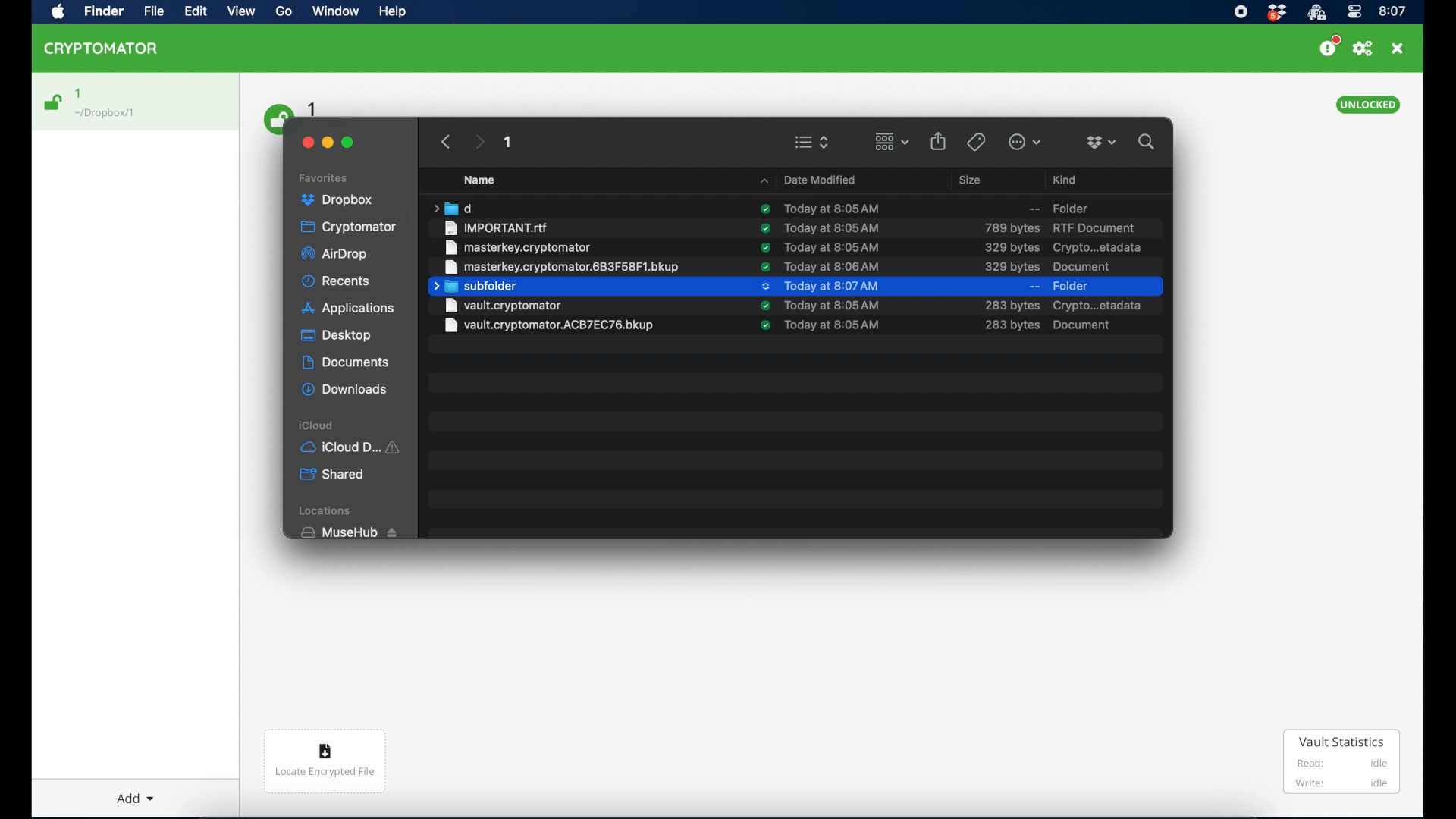 Image resolution: width=1456 pixels, height=819 pixels. Describe the element at coordinates (336, 336) in the screenshot. I see `desktop` at that location.